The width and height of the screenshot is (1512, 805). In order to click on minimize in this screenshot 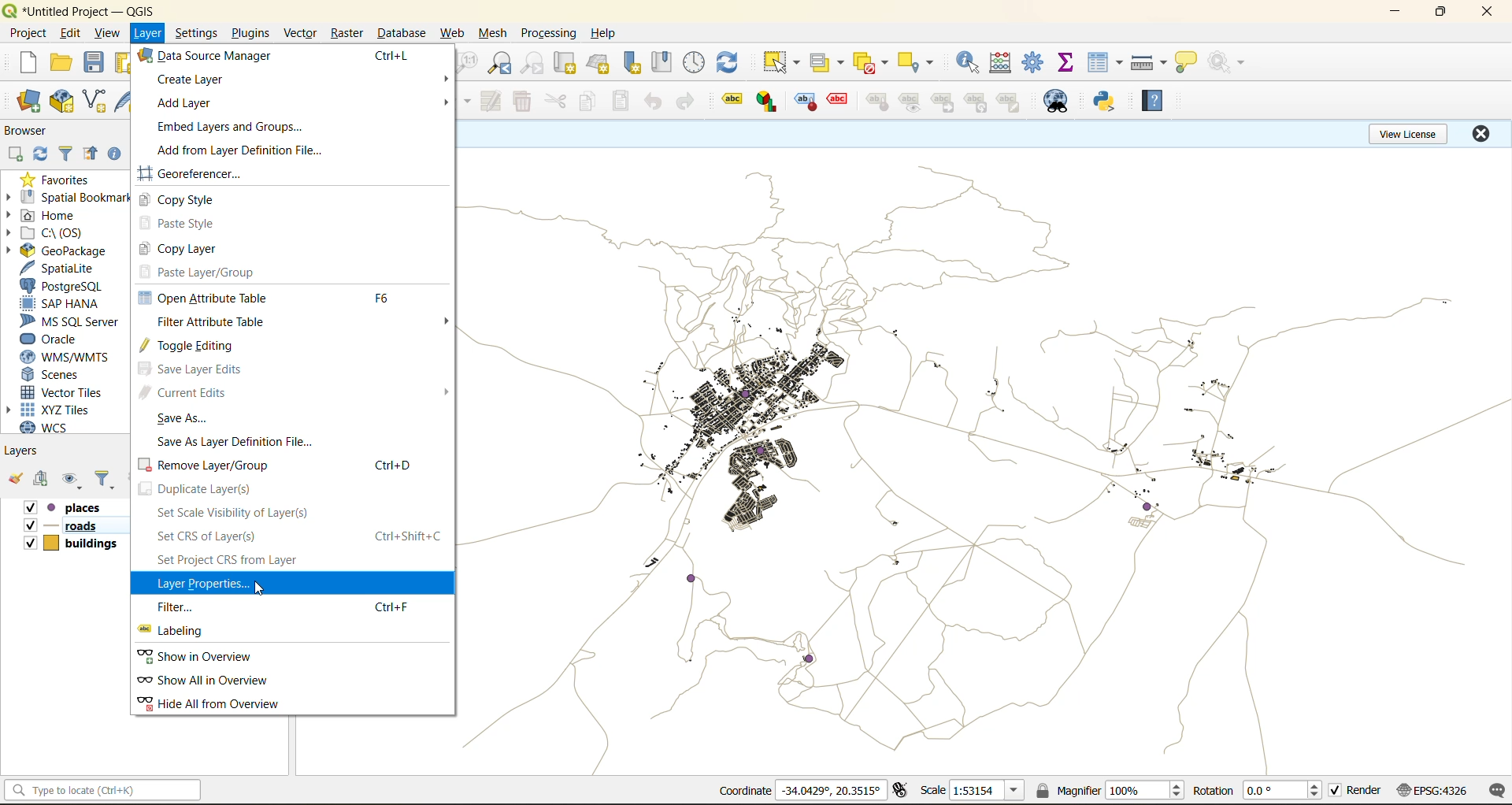, I will do `click(1397, 13)`.